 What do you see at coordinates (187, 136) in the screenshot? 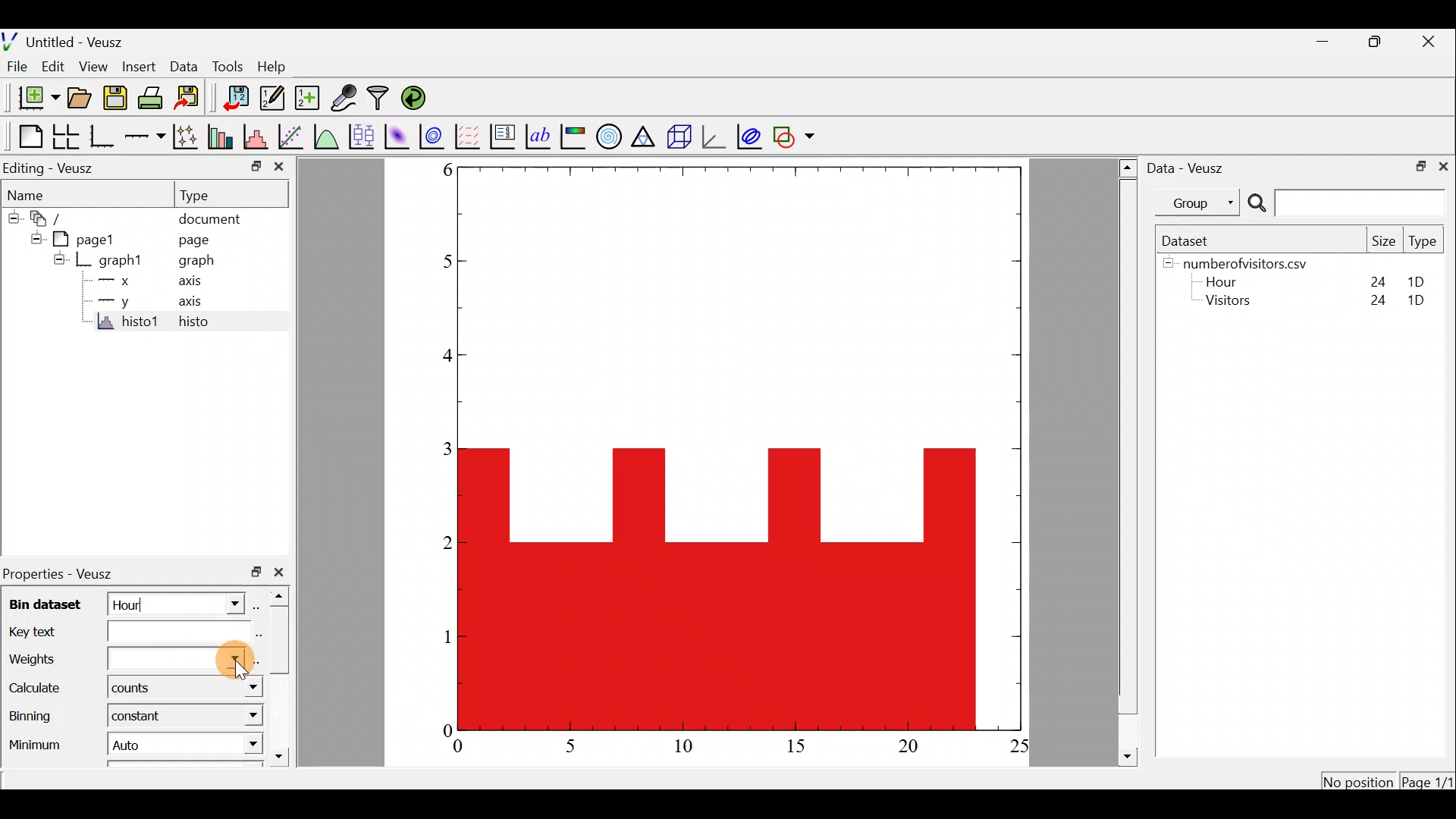
I see `plot points with lines and error bars` at bounding box center [187, 136].